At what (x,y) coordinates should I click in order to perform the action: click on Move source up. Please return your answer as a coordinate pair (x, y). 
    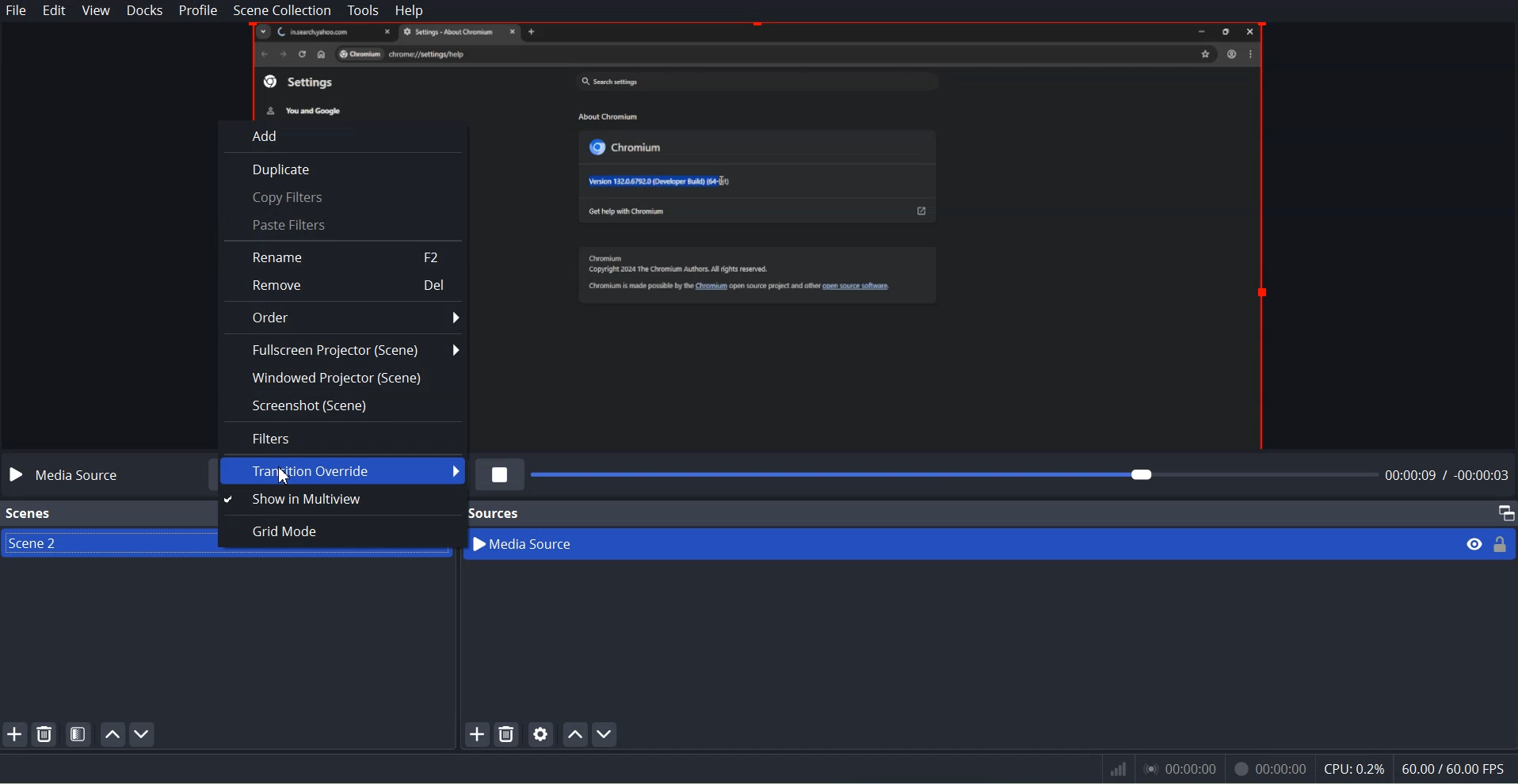
    Looking at the image, I should click on (575, 733).